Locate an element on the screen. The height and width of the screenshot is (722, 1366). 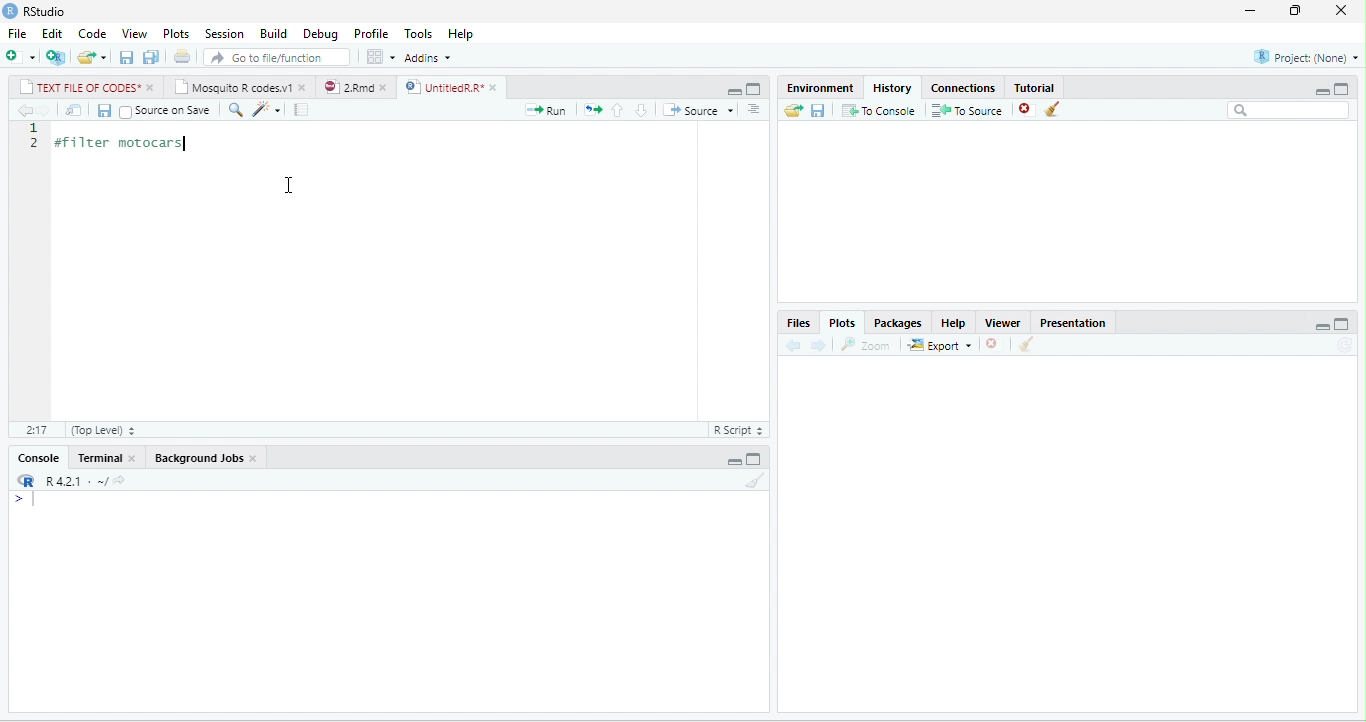
Environment is located at coordinates (820, 88).